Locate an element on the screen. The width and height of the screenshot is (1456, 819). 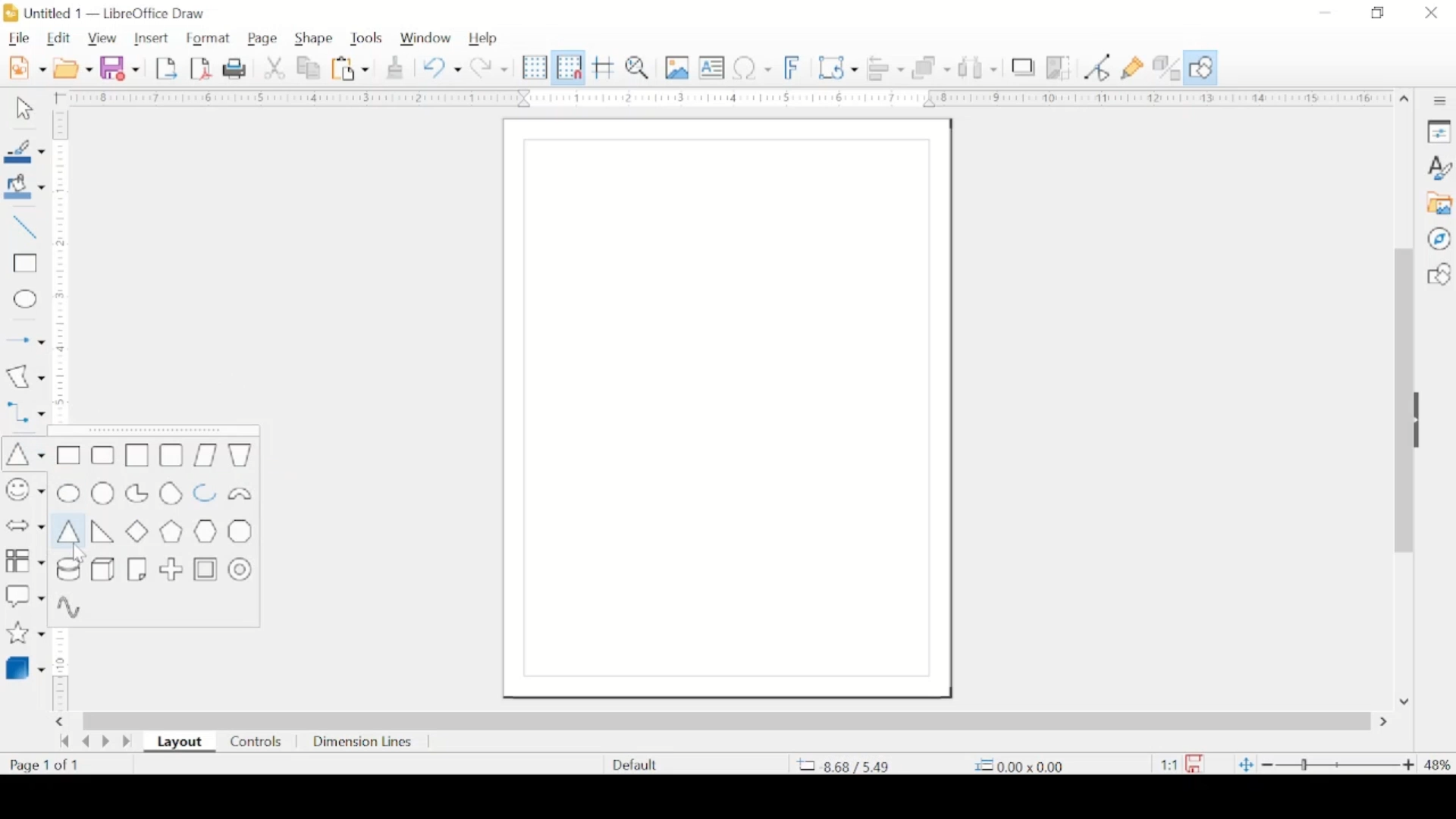
diamond is located at coordinates (138, 532).